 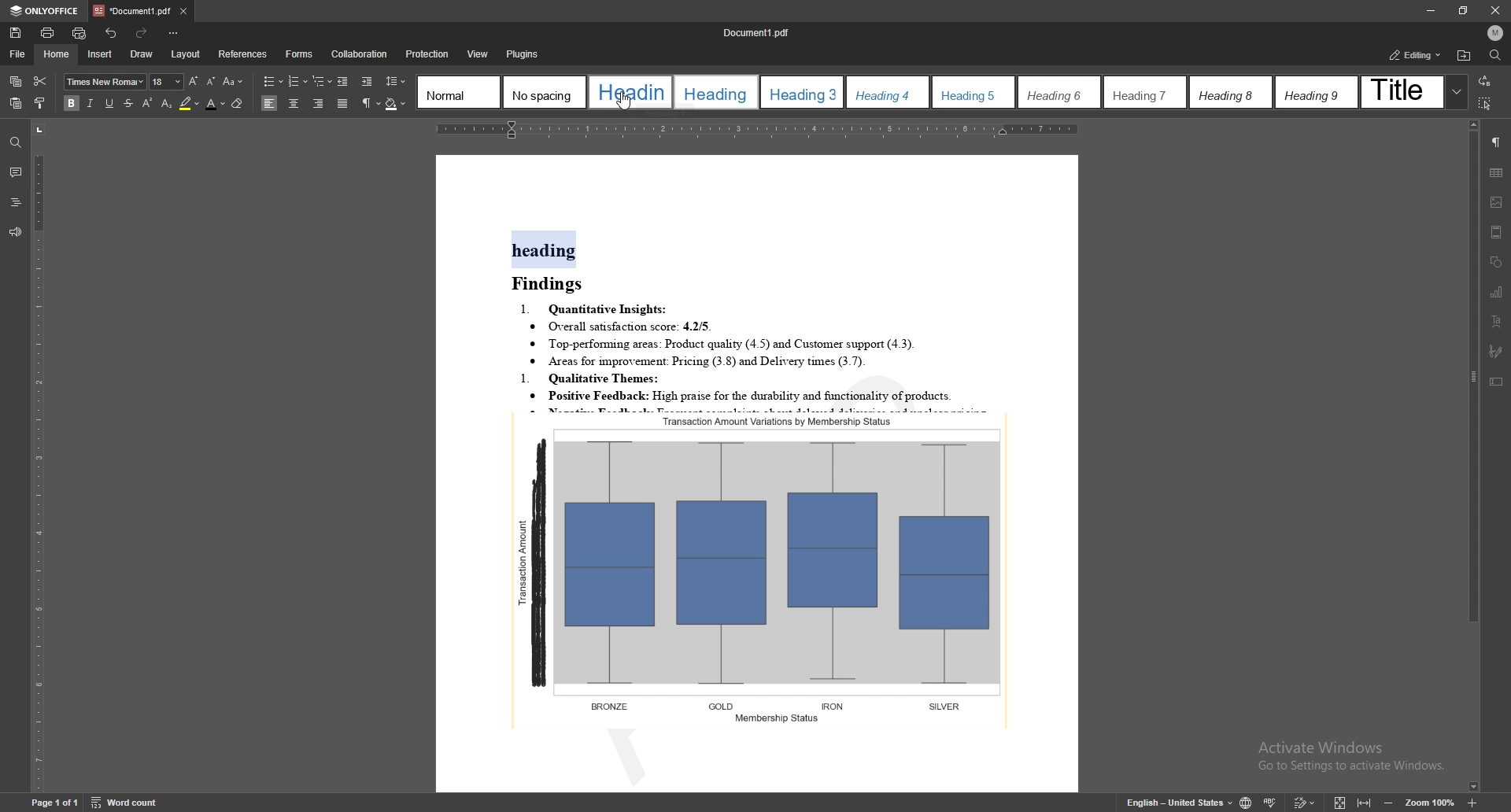 I want to click on quick print, so click(x=79, y=34).